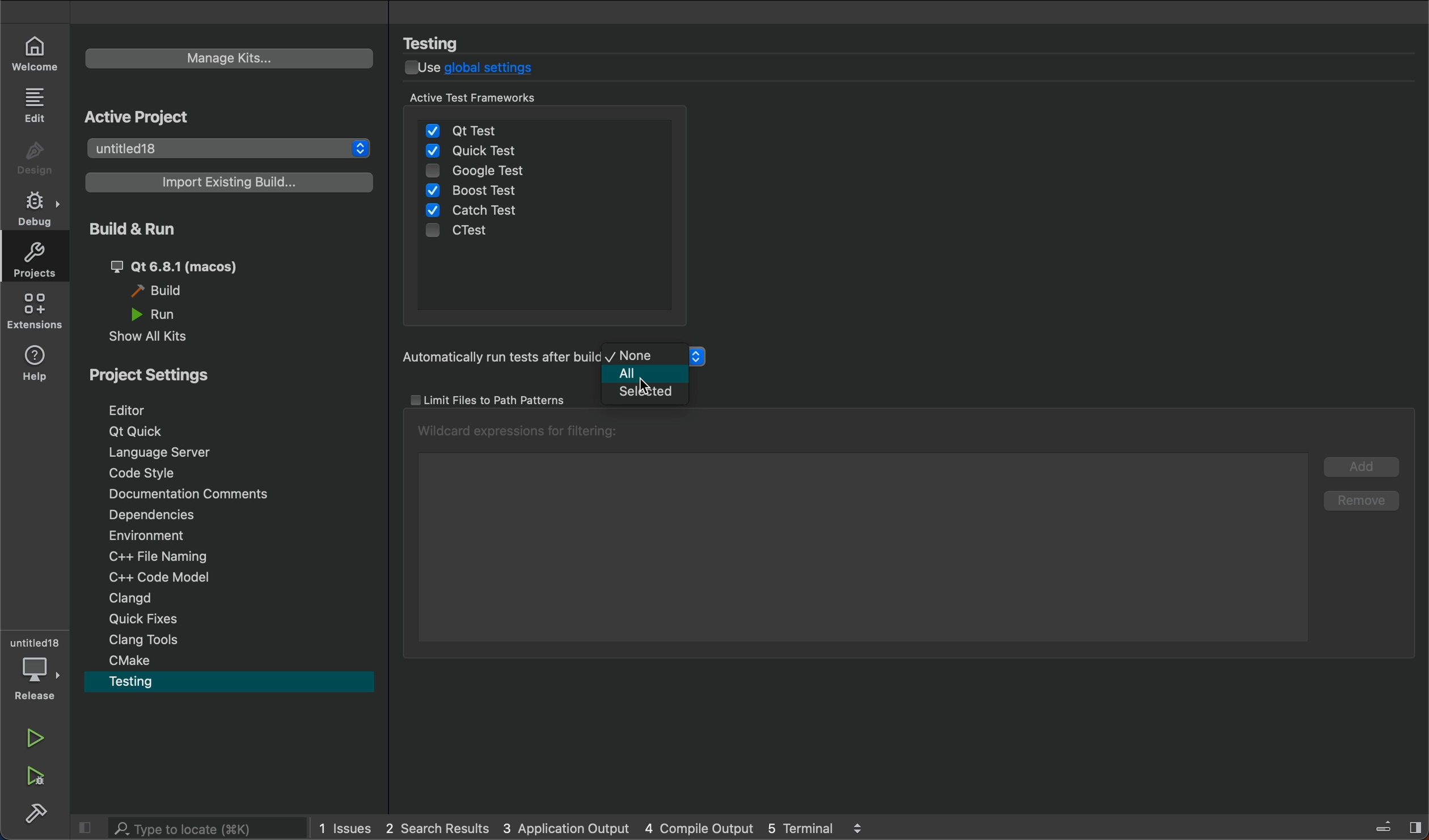  I want to click on quick test, so click(475, 151).